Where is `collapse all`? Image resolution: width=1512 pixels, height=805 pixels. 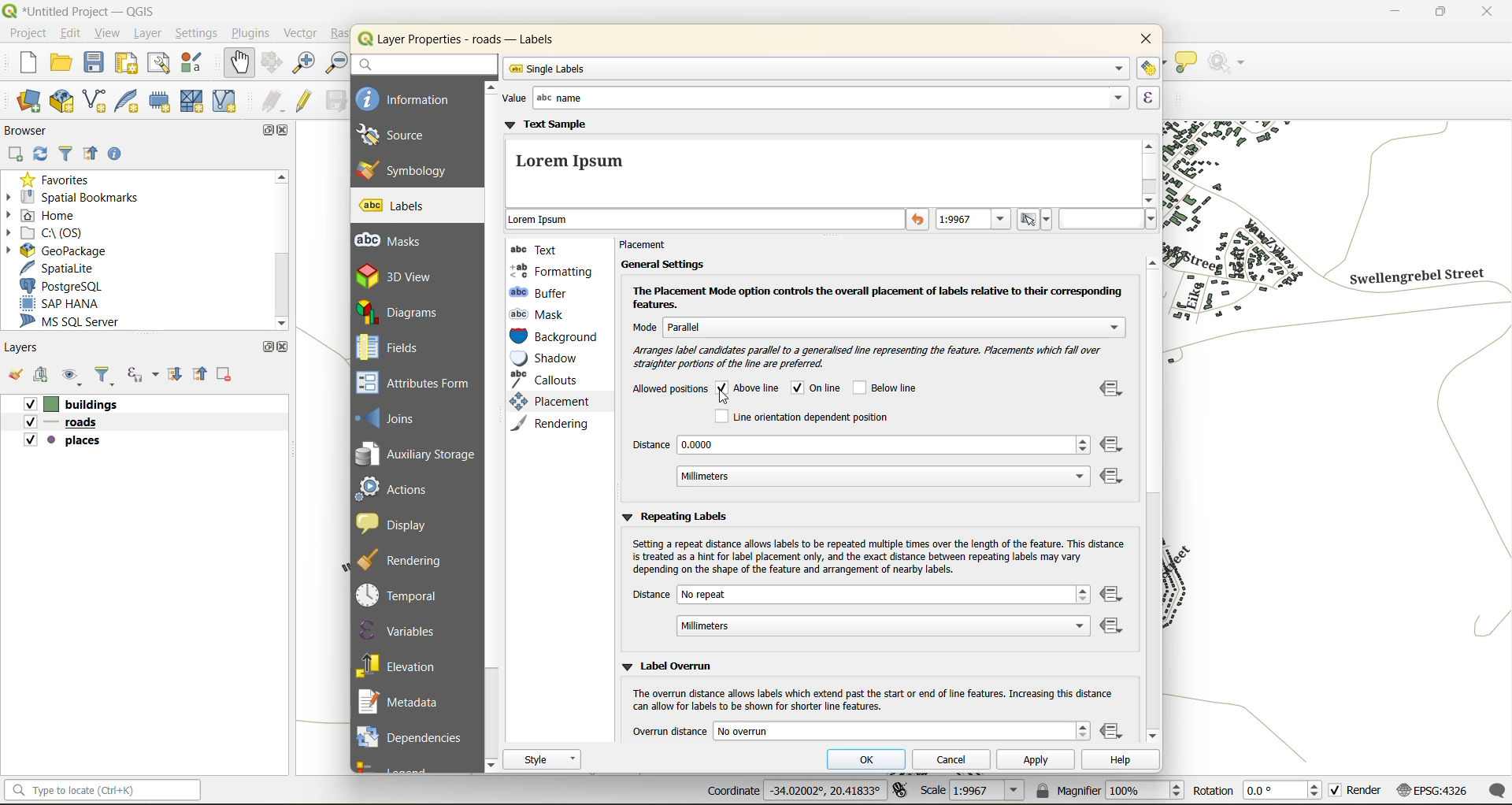 collapse all is located at coordinates (202, 377).